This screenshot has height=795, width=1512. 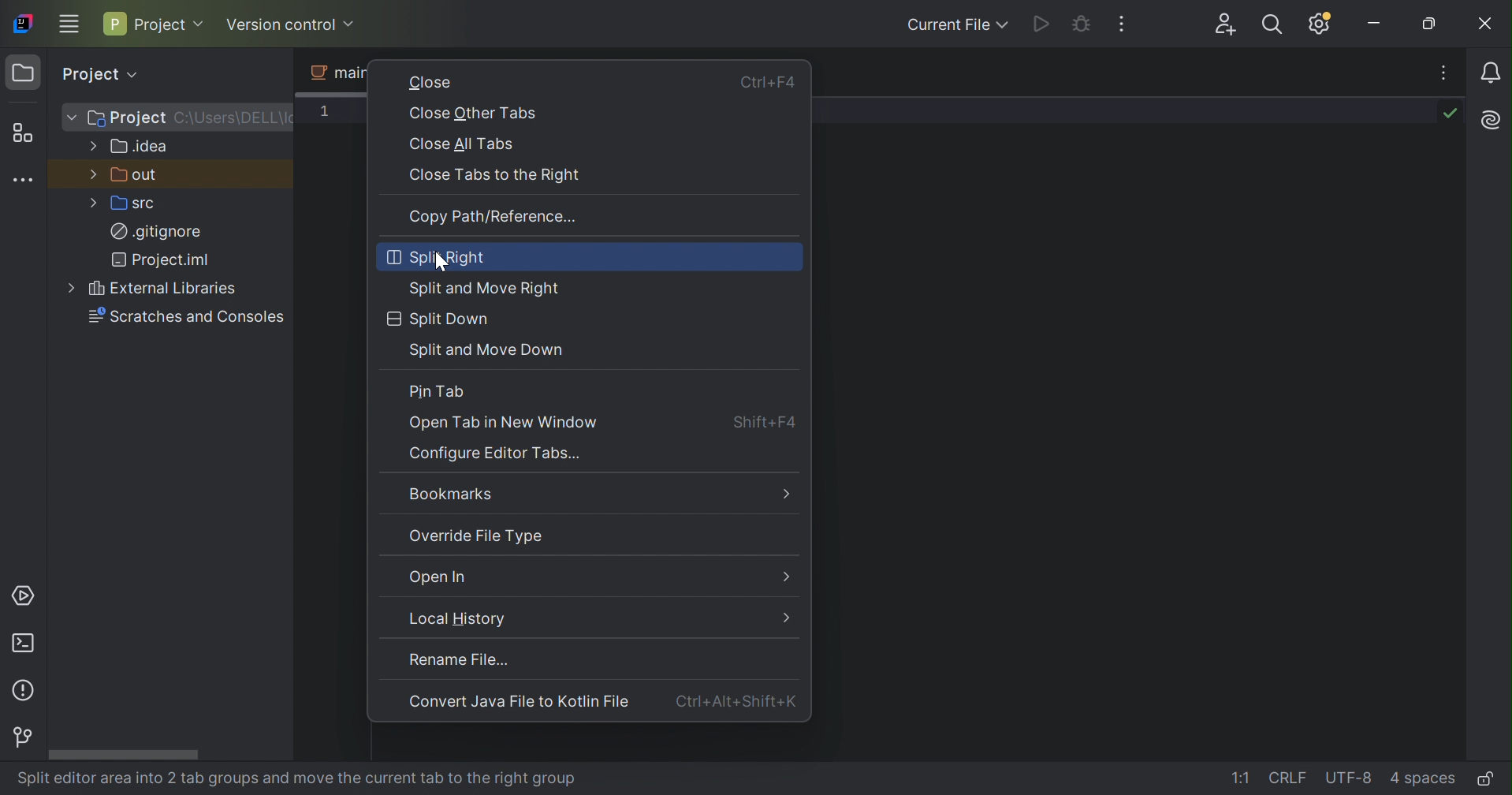 What do you see at coordinates (955, 27) in the screenshot?
I see `Current file` at bounding box center [955, 27].